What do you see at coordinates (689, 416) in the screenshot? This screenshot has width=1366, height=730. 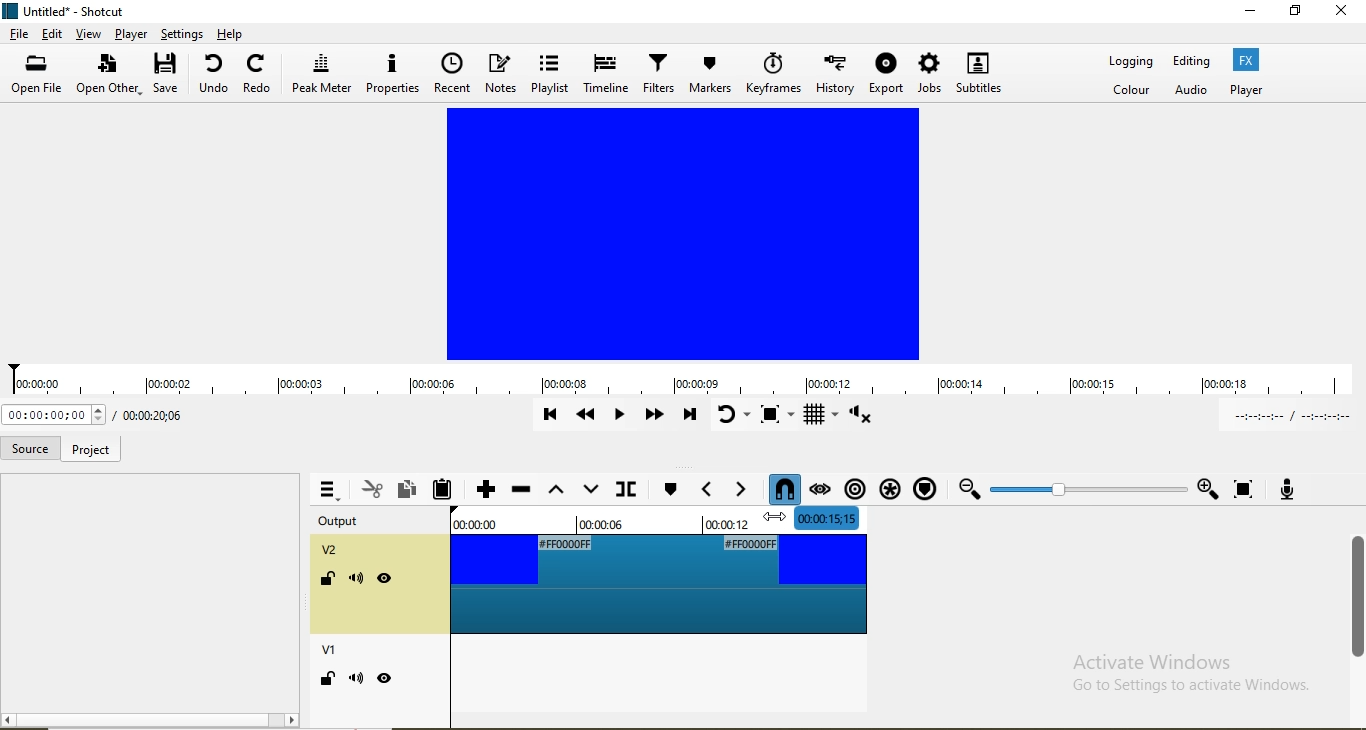 I see `Skip to the next point ` at bounding box center [689, 416].